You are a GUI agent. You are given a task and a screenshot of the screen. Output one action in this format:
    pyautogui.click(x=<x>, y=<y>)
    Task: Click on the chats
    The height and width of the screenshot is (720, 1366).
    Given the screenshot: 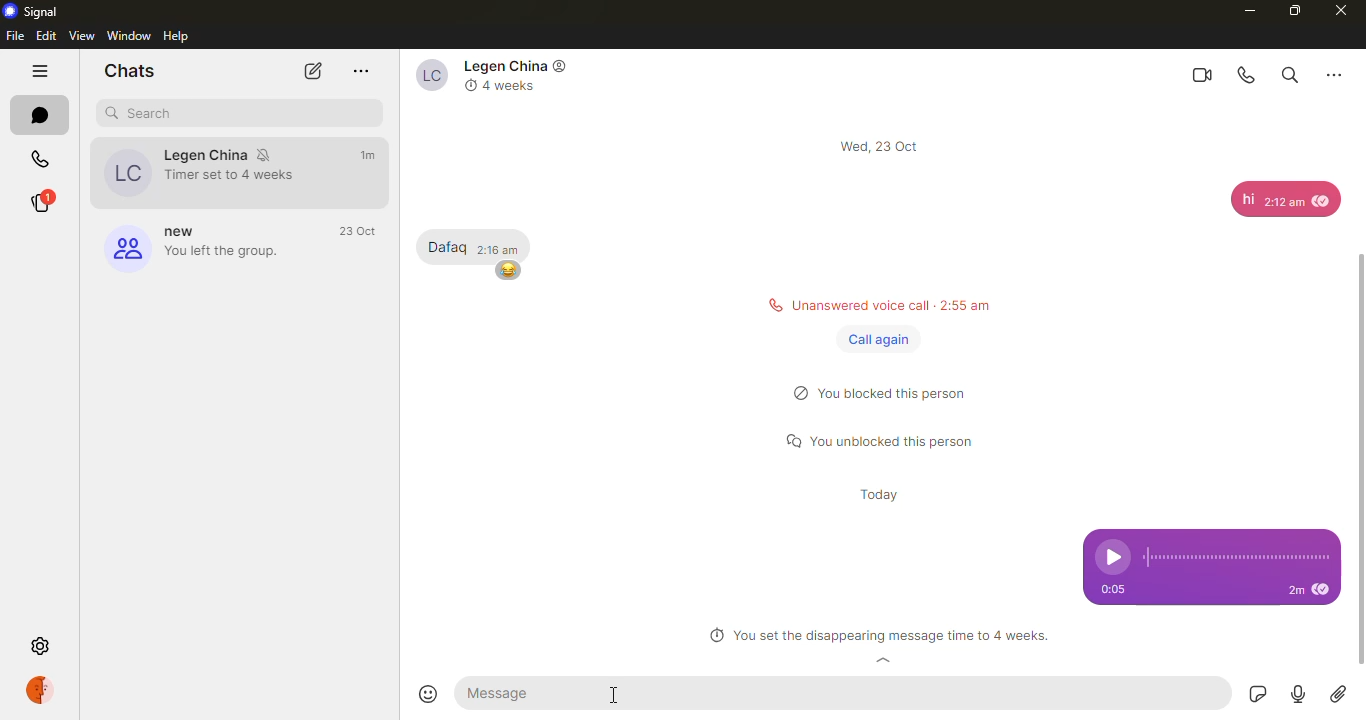 What is the action you would take?
    pyautogui.click(x=129, y=70)
    